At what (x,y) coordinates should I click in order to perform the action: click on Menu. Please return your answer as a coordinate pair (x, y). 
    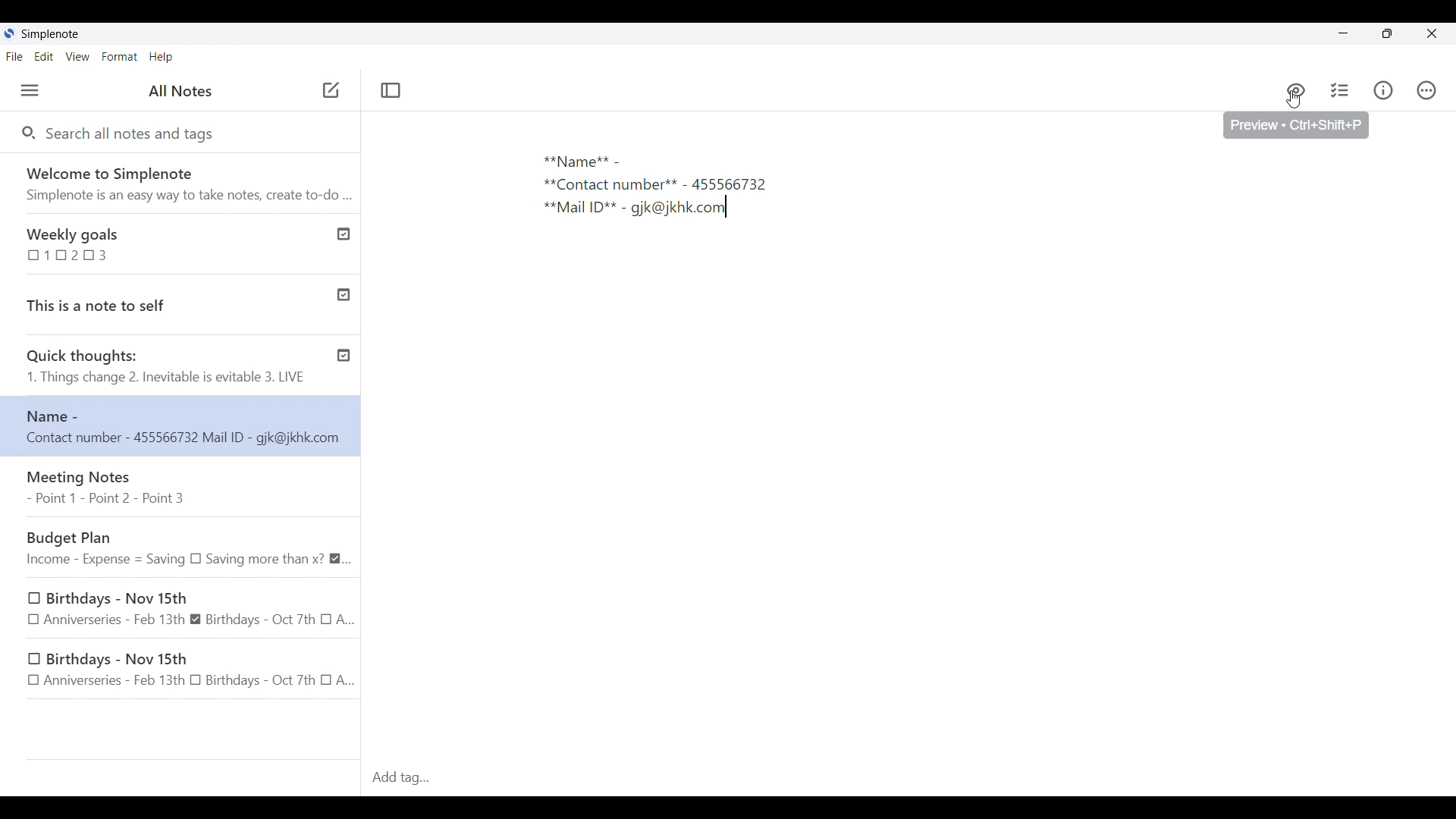
    Looking at the image, I should click on (30, 90).